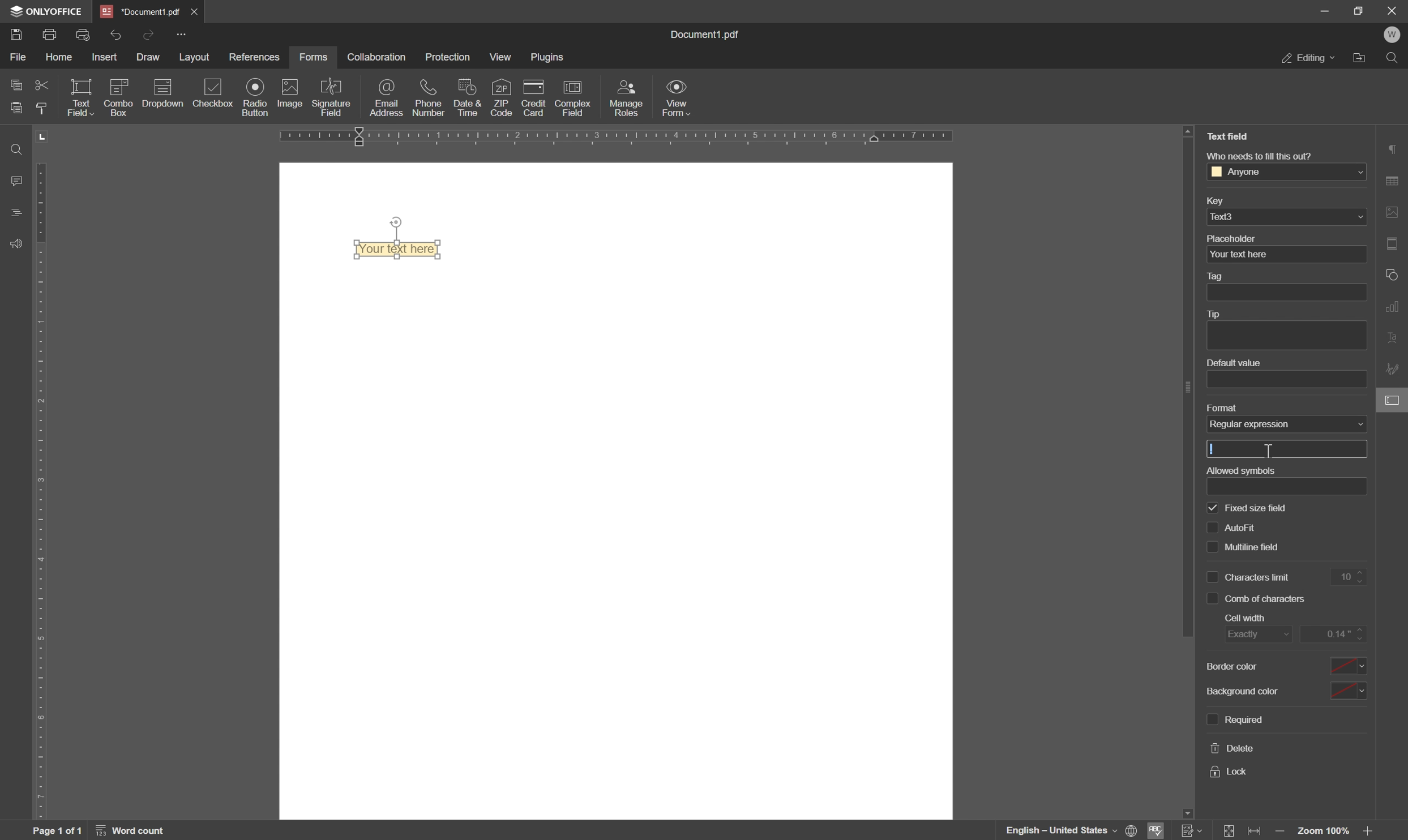 The height and width of the screenshot is (840, 1408). I want to click on zoom in, so click(1370, 832).